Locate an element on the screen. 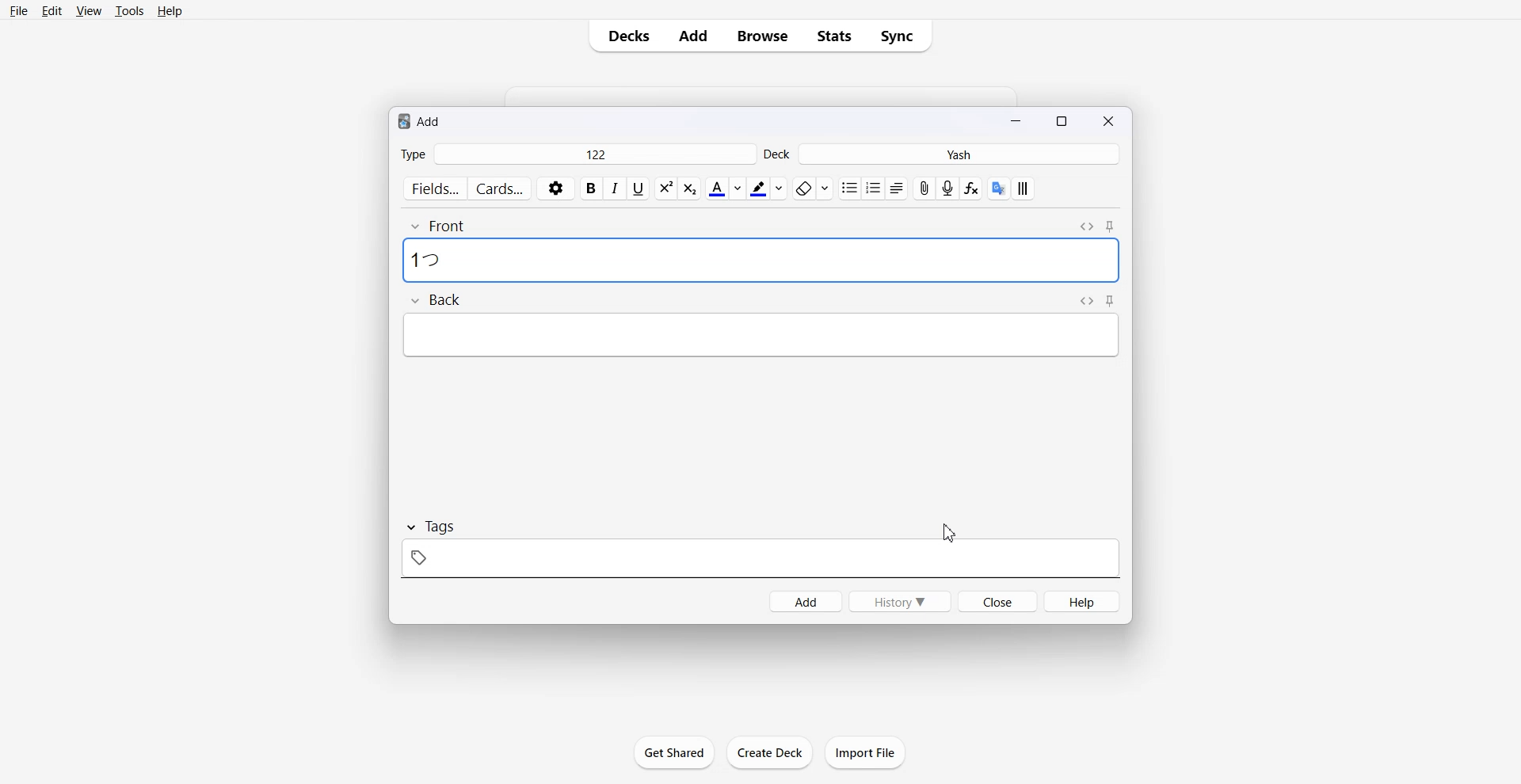 The width and height of the screenshot is (1521, 784). Order list is located at coordinates (873, 188).